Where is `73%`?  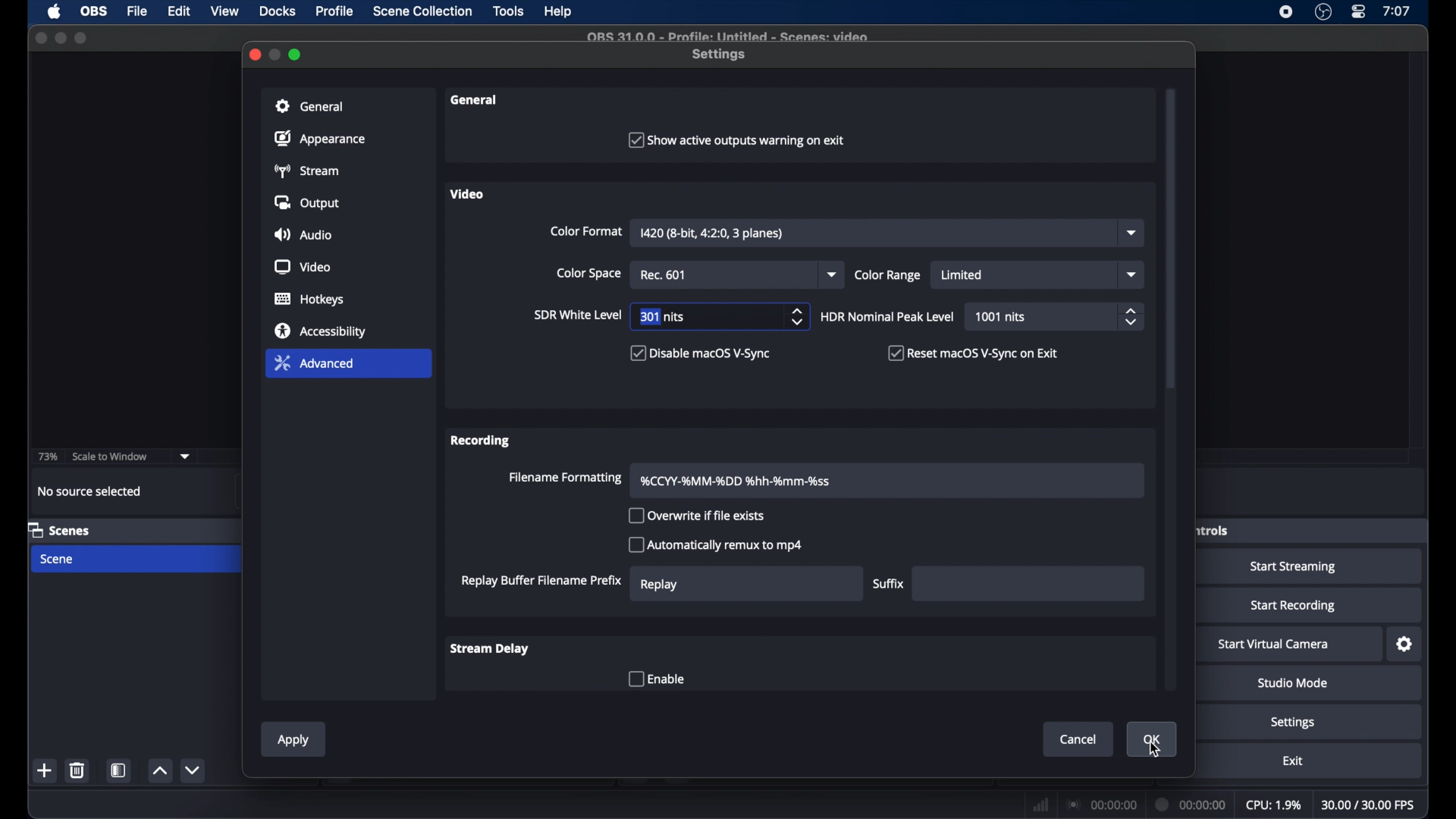
73% is located at coordinates (46, 457).